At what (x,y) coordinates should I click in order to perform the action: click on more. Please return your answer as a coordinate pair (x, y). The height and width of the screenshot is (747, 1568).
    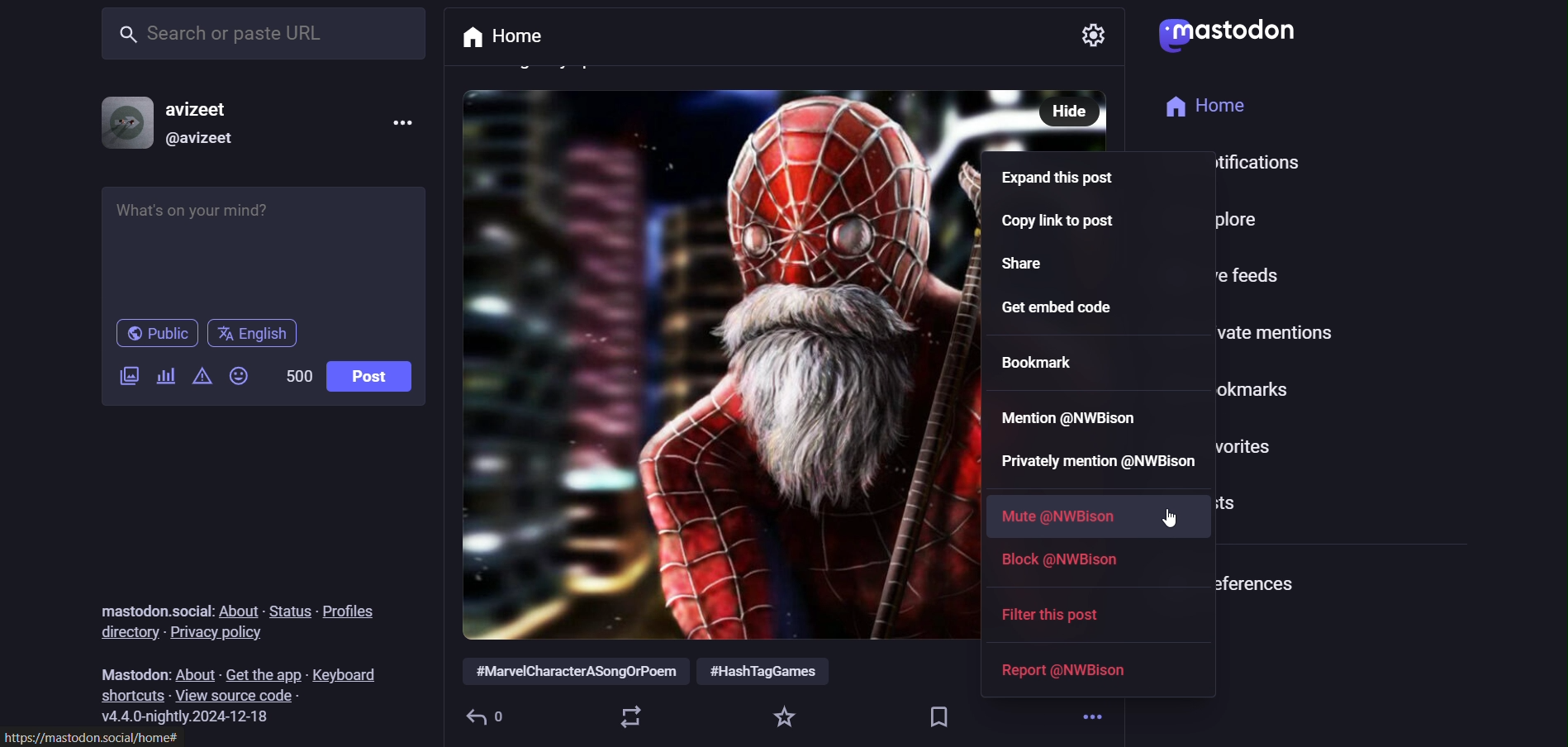
    Looking at the image, I should click on (1096, 721).